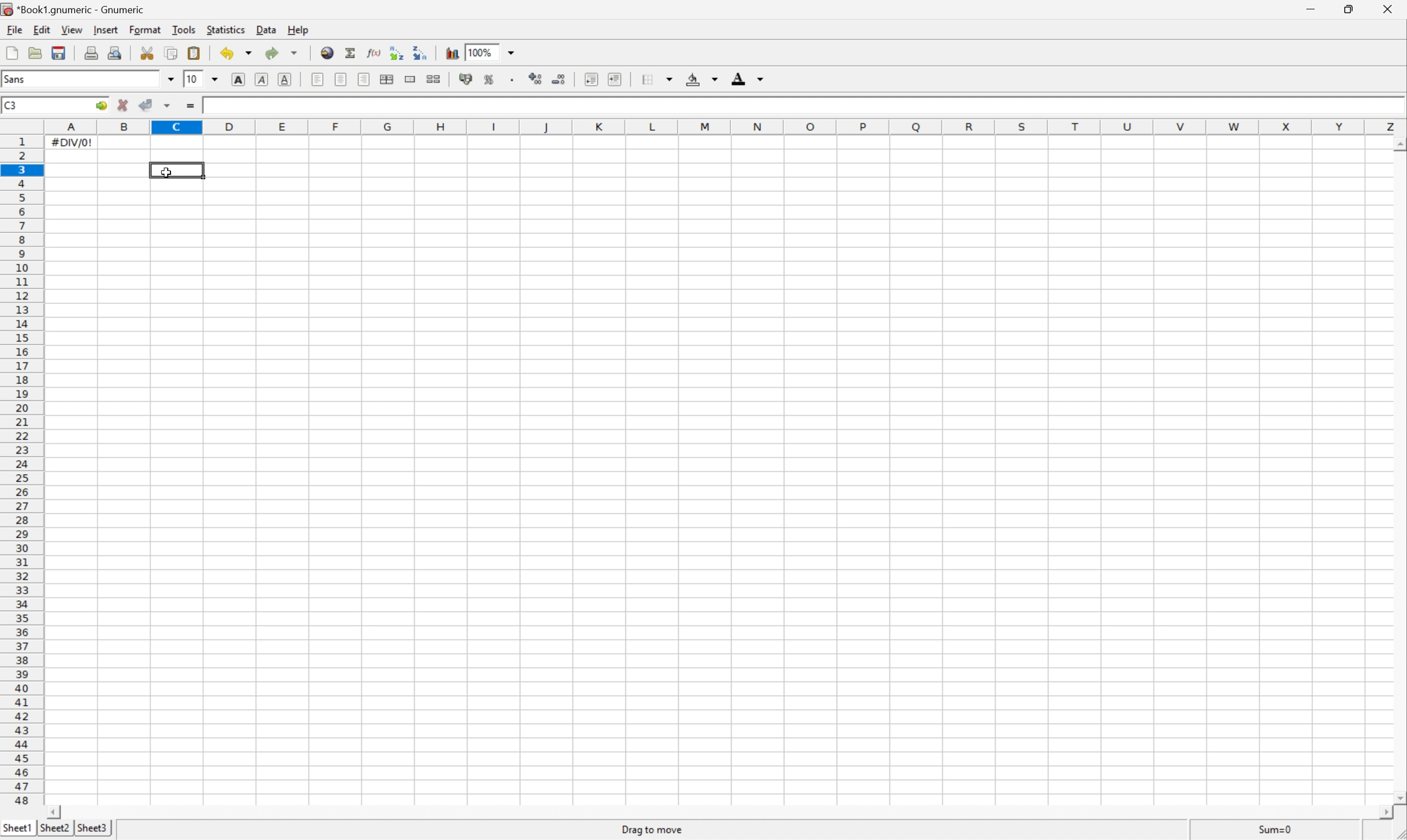 The height and width of the screenshot is (840, 1407). What do you see at coordinates (183, 30) in the screenshot?
I see `Tools` at bounding box center [183, 30].